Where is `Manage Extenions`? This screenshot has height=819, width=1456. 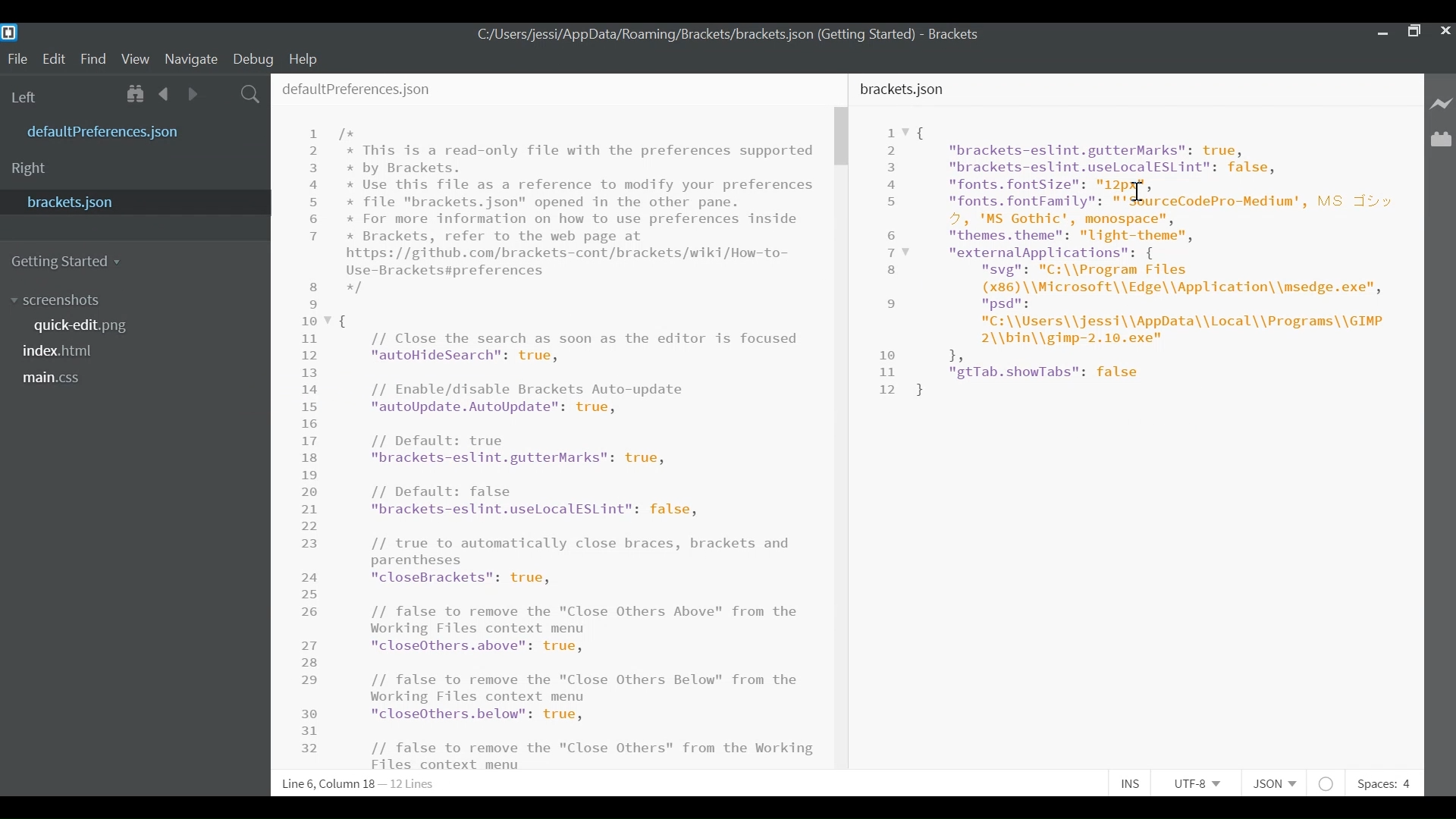 Manage Extenions is located at coordinates (1442, 140).